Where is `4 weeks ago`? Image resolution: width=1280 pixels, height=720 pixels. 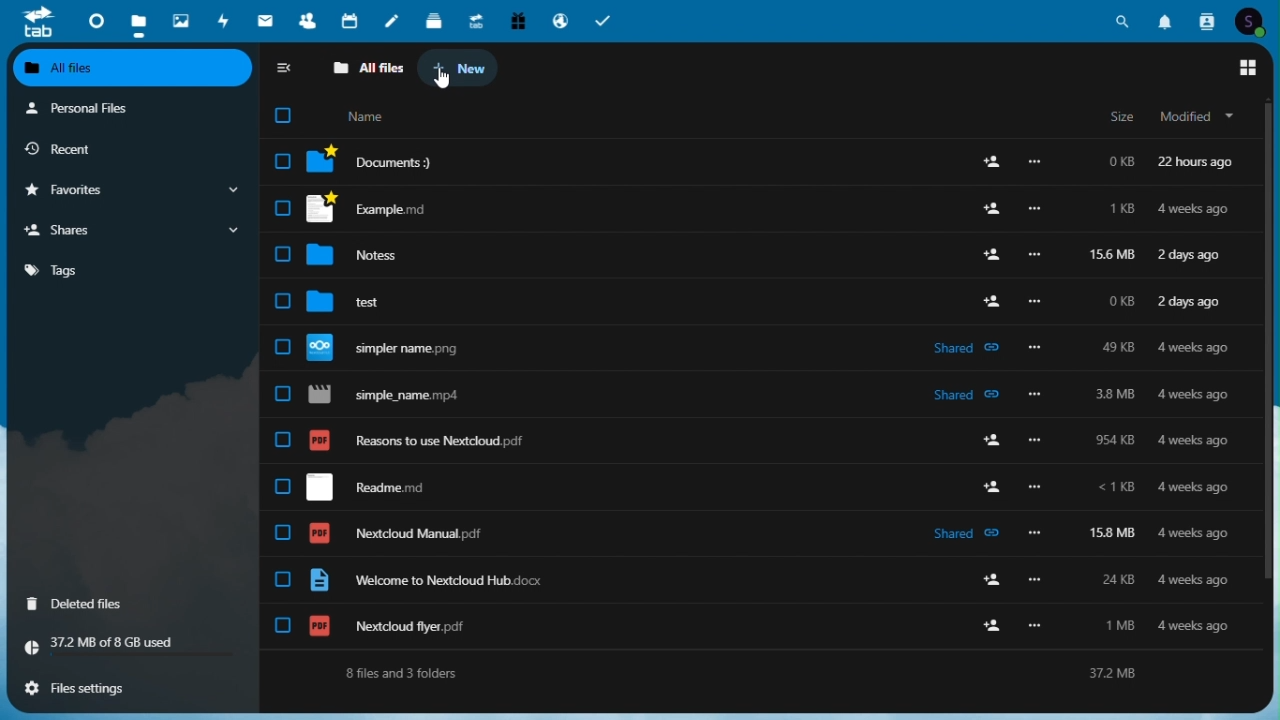 4 weeks ago is located at coordinates (1195, 349).